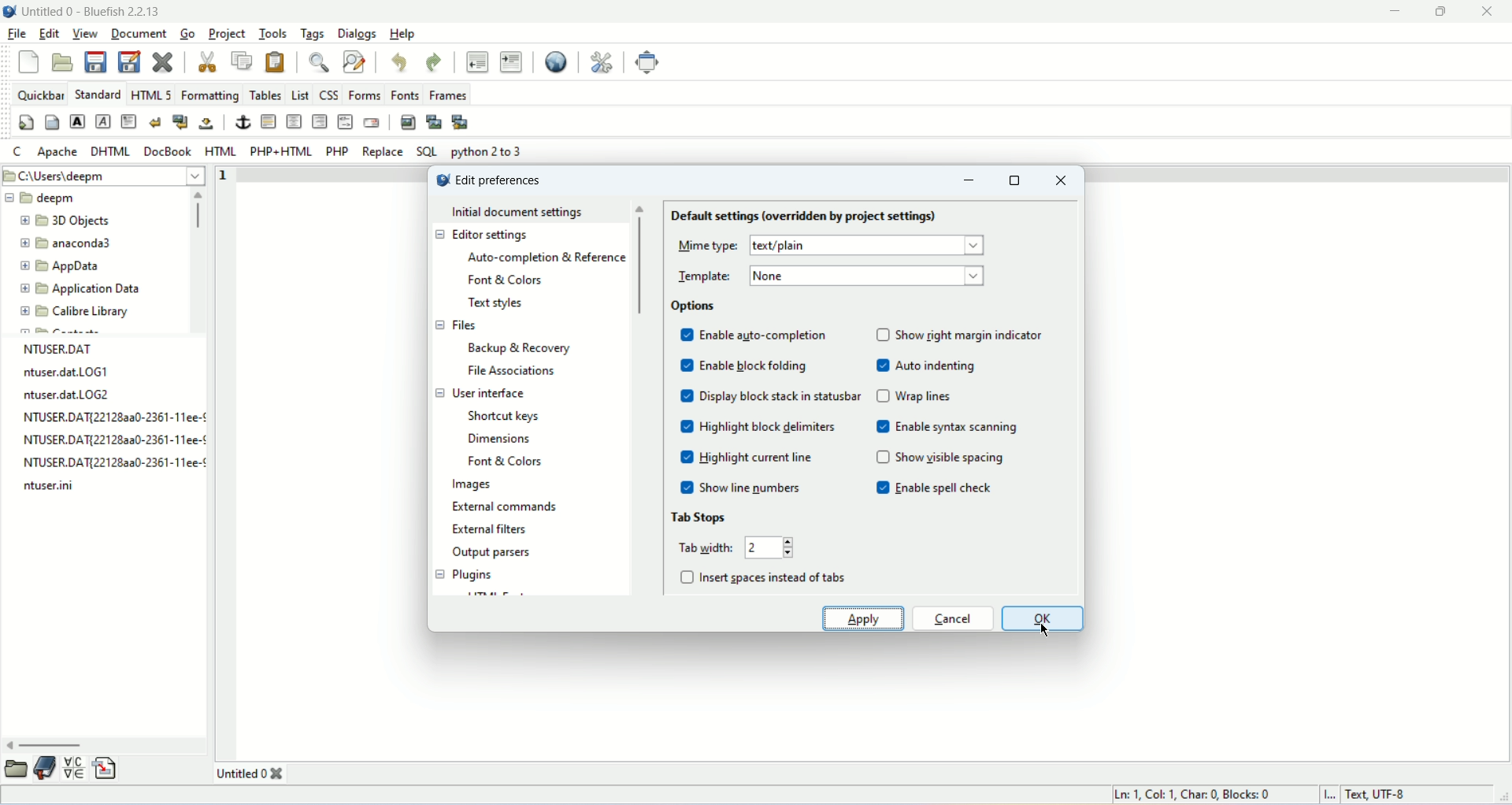 Image resolution: width=1512 pixels, height=805 pixels. What do you see at coordinates (701, 547) in the screenshot?
I see `tab width` at bounding box center [701, 547].